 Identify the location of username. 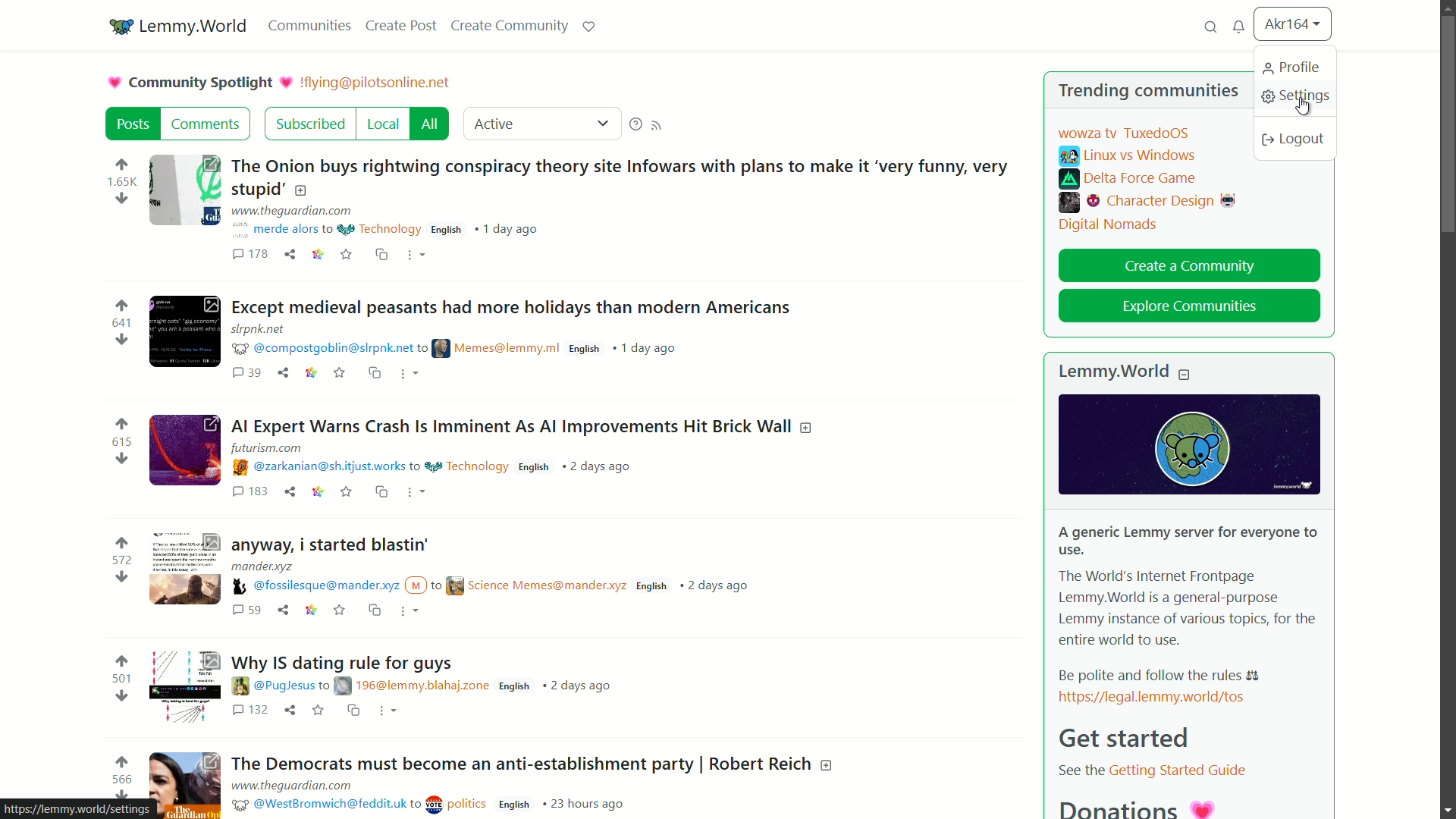
(1291, 24).